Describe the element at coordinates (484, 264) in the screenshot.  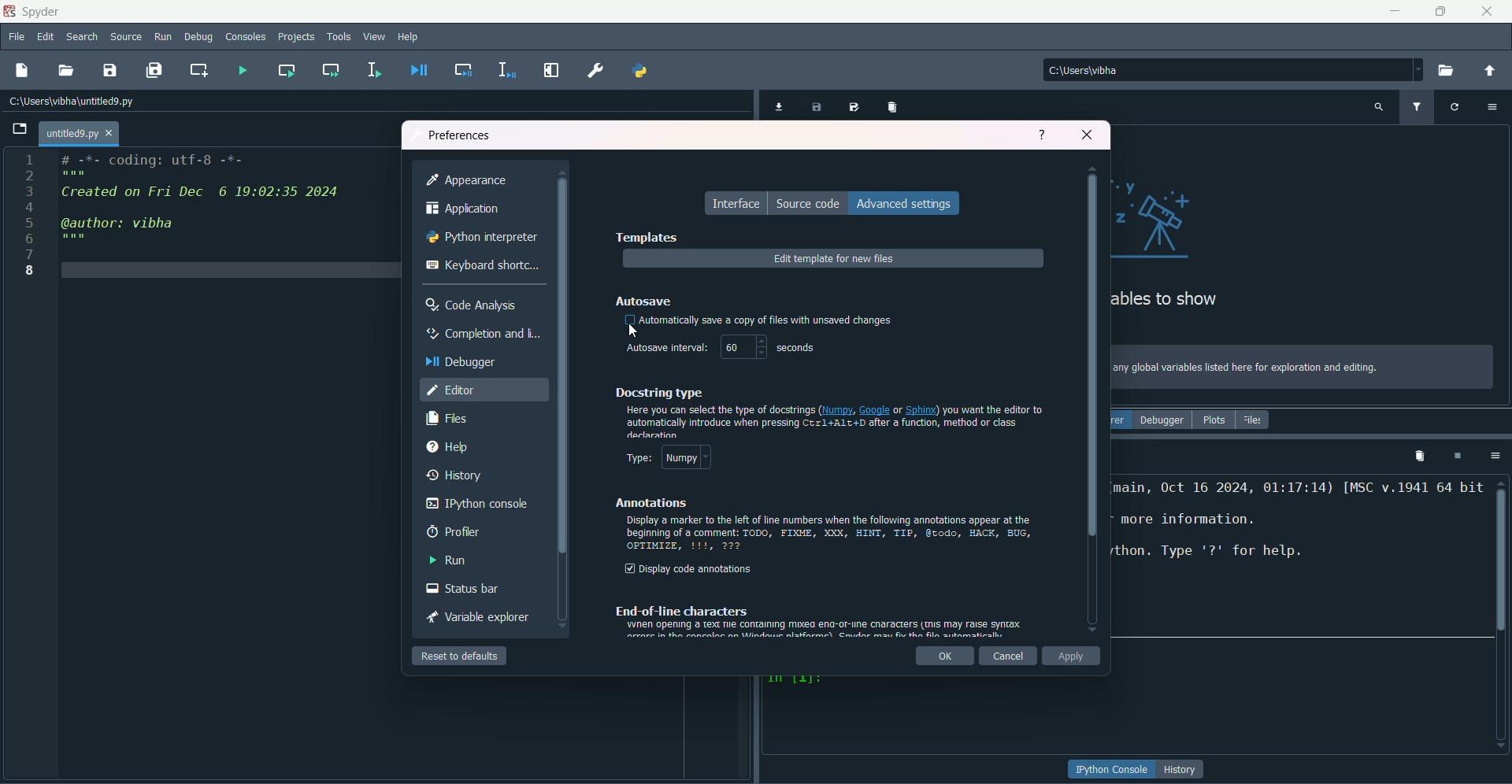
I see `keyboard shortcut` at that location.